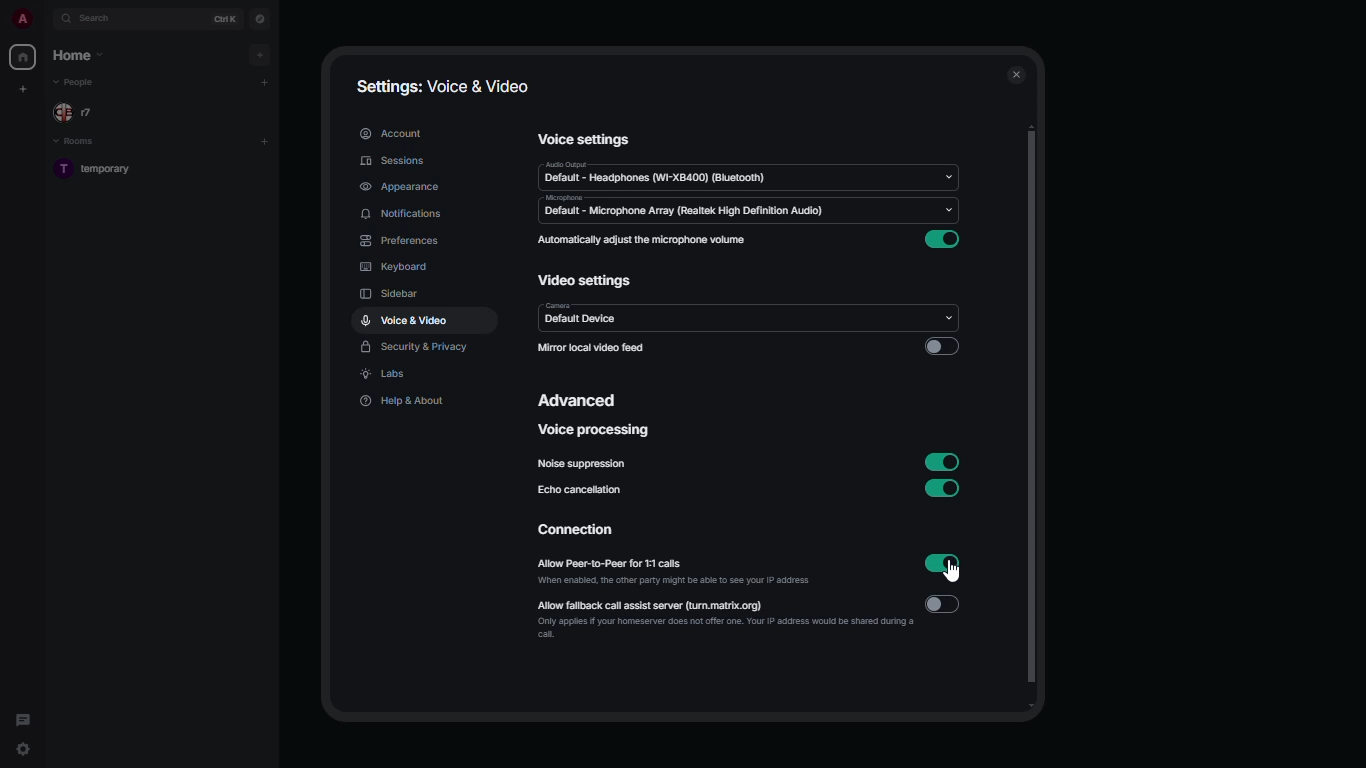 The image size is (1366, 768). Describe the element at coordinates (584, 531) in the screenshot. I see `connection` at that location.